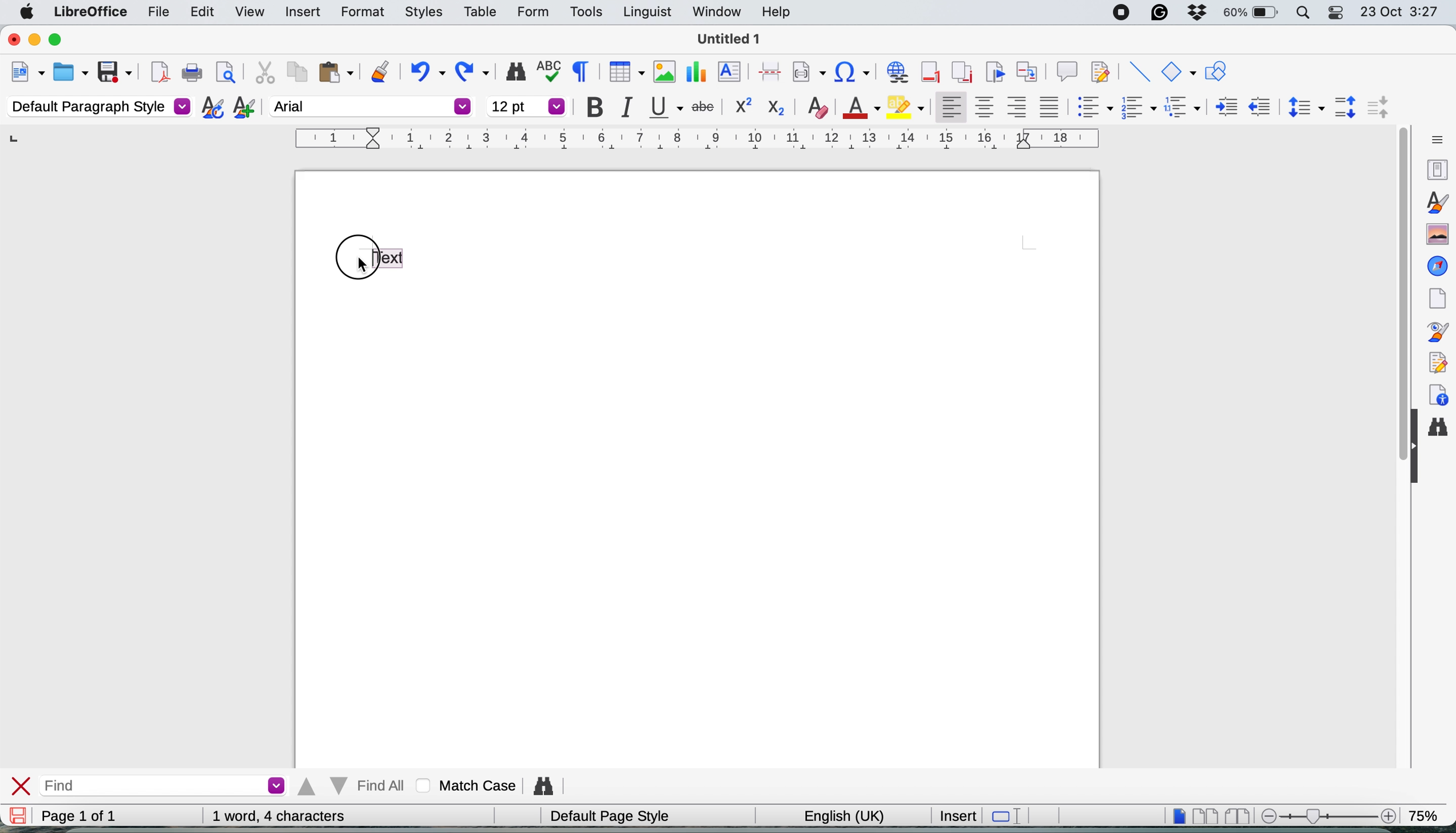  What do you see at coordinates (350, 786) in the screenshot?
I see `find all` at bounding box center [350, 786].